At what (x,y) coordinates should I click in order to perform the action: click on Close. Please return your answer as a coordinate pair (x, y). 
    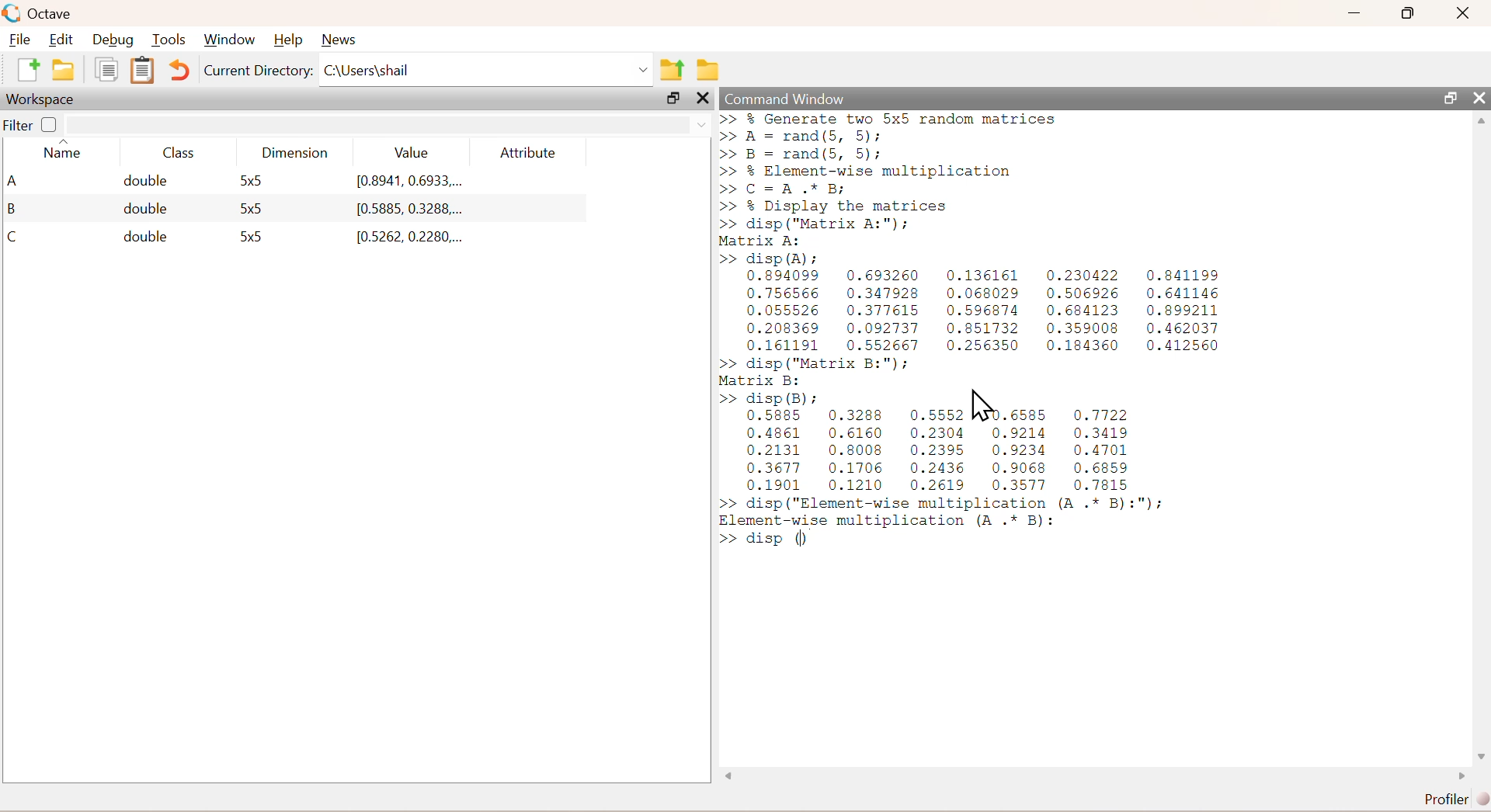
    Looking at the image, I should click on (1477, 95).